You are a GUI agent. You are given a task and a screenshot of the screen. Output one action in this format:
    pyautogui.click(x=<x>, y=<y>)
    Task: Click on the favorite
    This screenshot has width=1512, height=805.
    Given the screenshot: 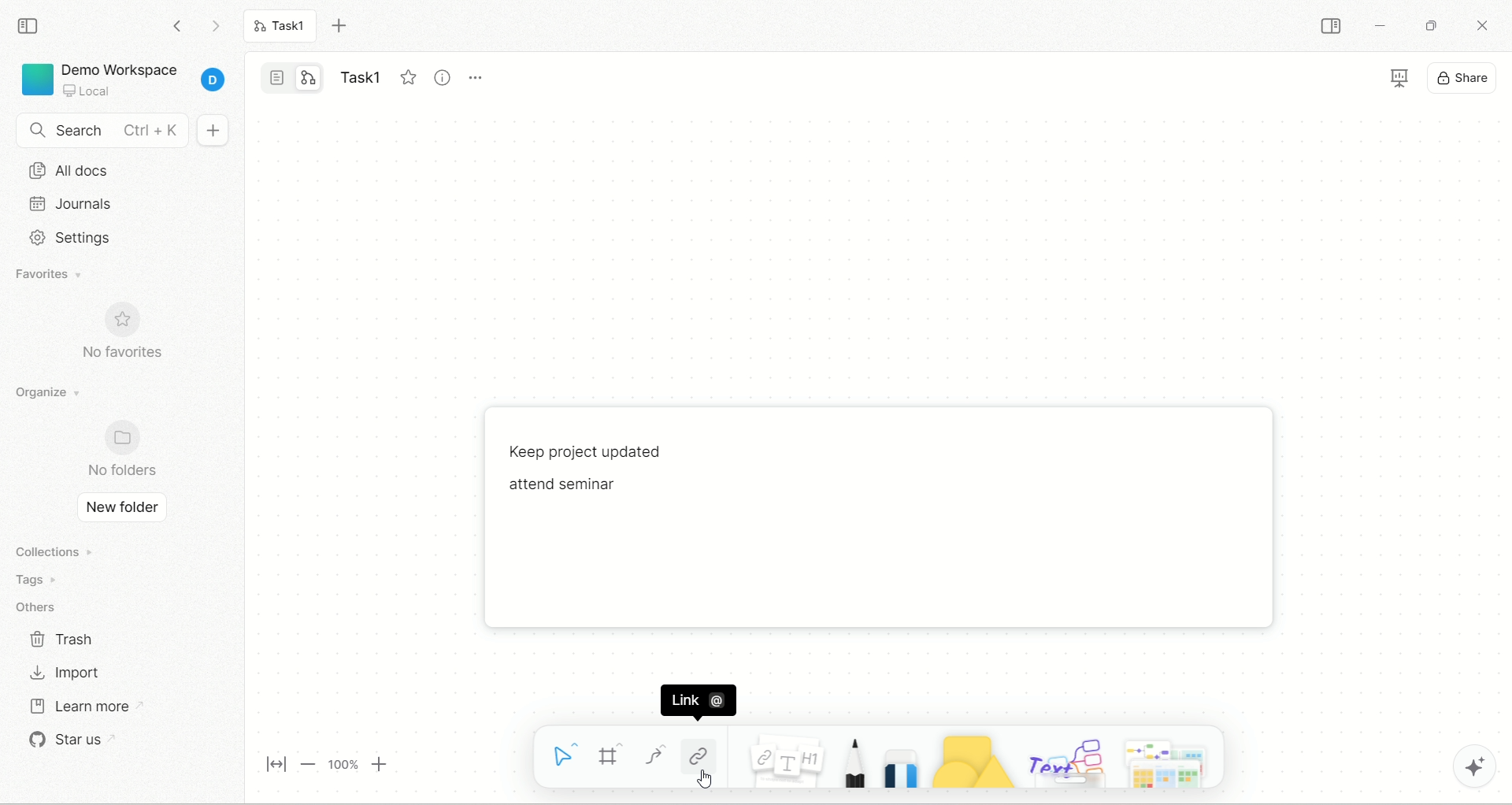 What is the action you would take?
    pyautogui.click(x=406, y=77)
    